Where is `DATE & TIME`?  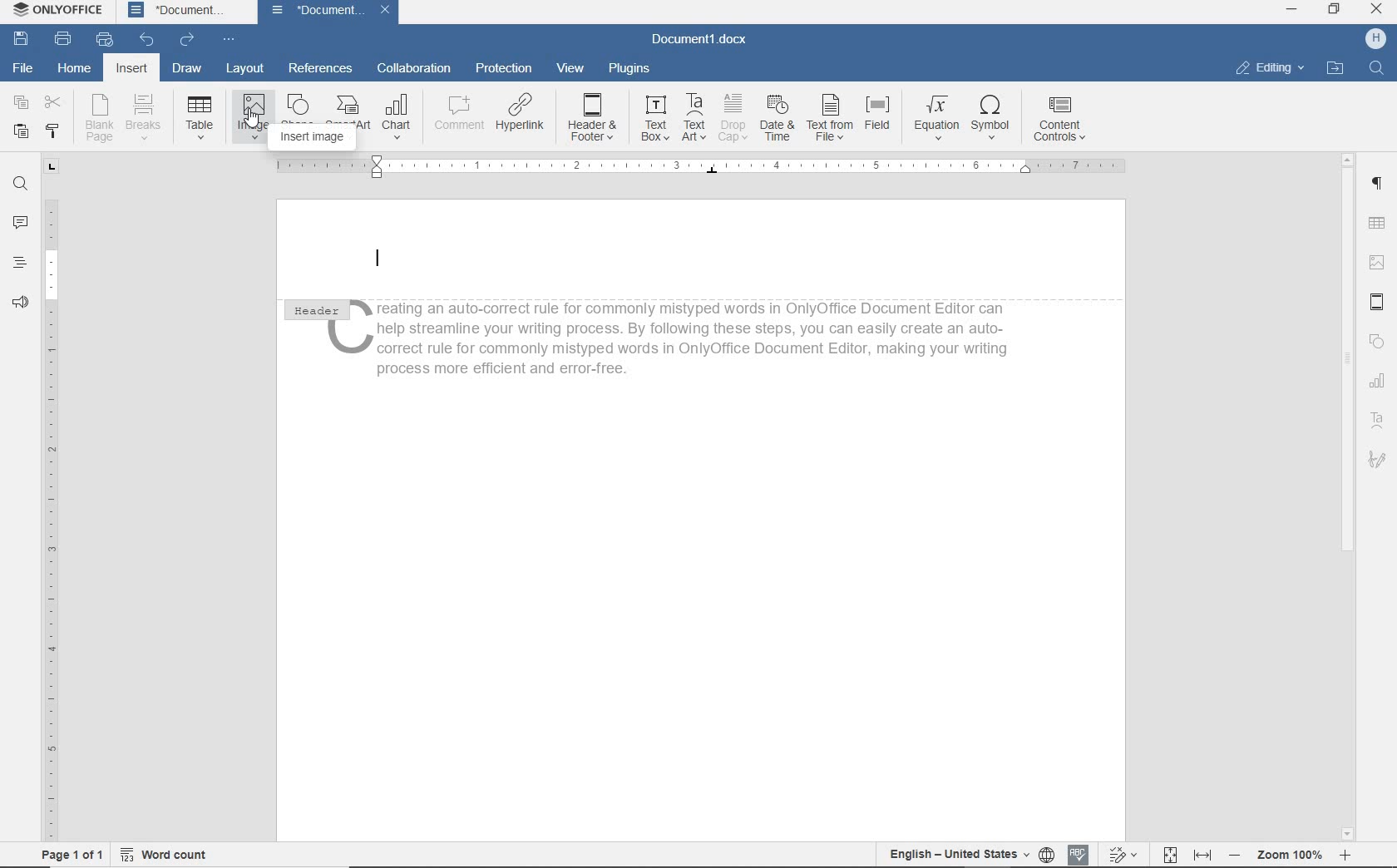 DATE & TIME is located at coordinates (779, 121).